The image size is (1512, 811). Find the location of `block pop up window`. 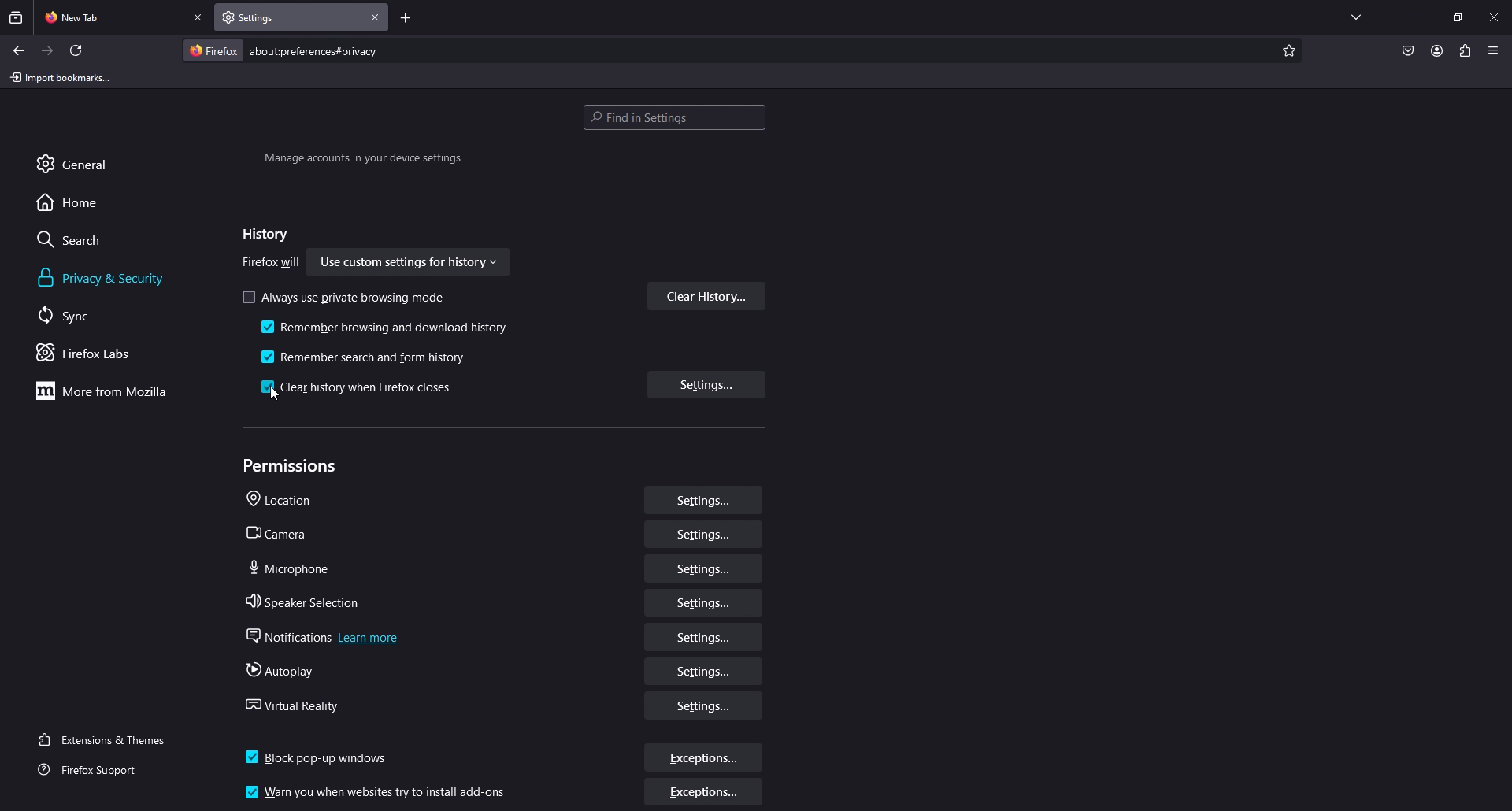

block pop up window is located at coordinates (320, 753).